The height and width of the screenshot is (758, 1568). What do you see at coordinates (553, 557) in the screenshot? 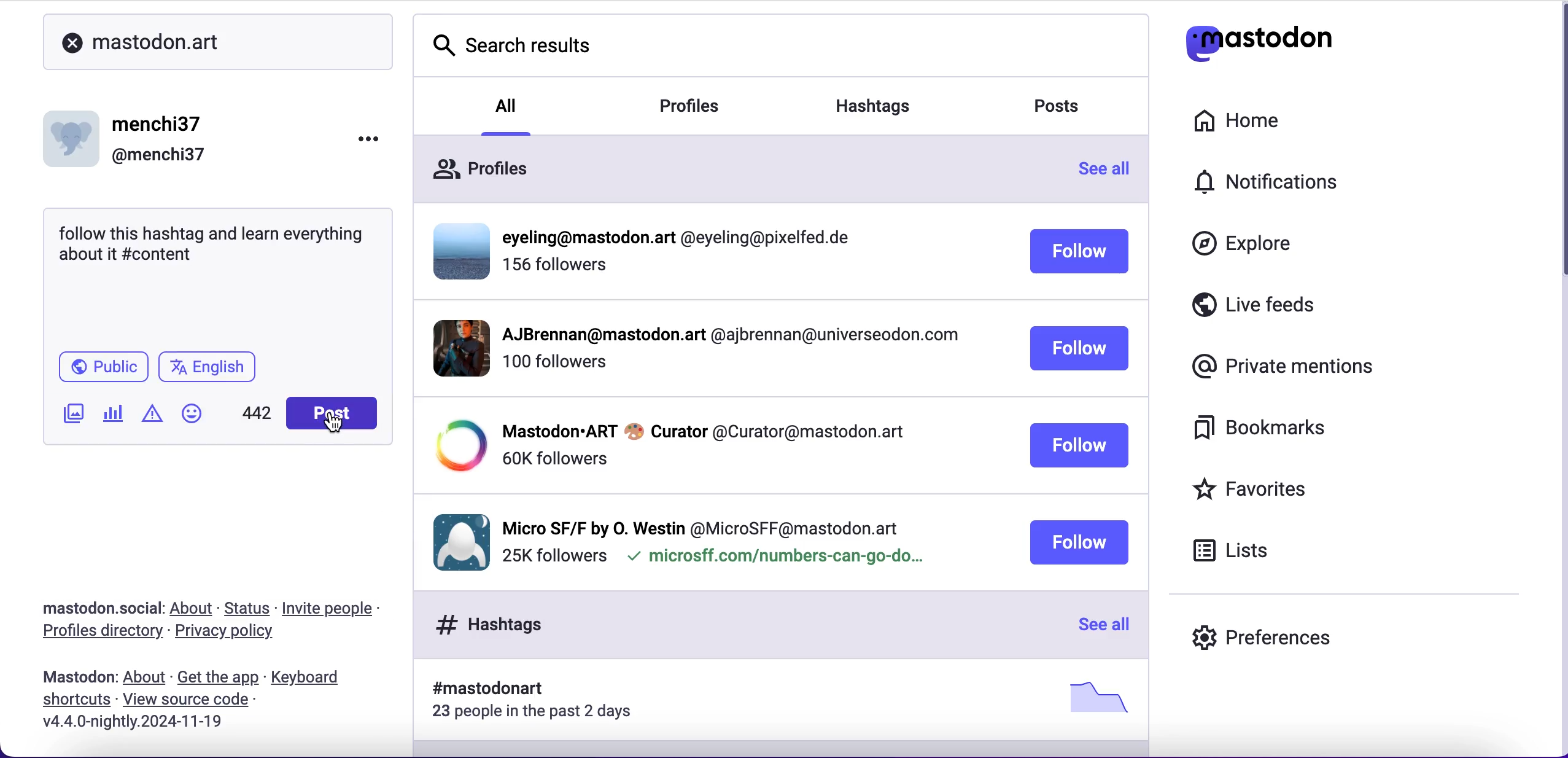
I see `followers` at bounding box center [553, 557].